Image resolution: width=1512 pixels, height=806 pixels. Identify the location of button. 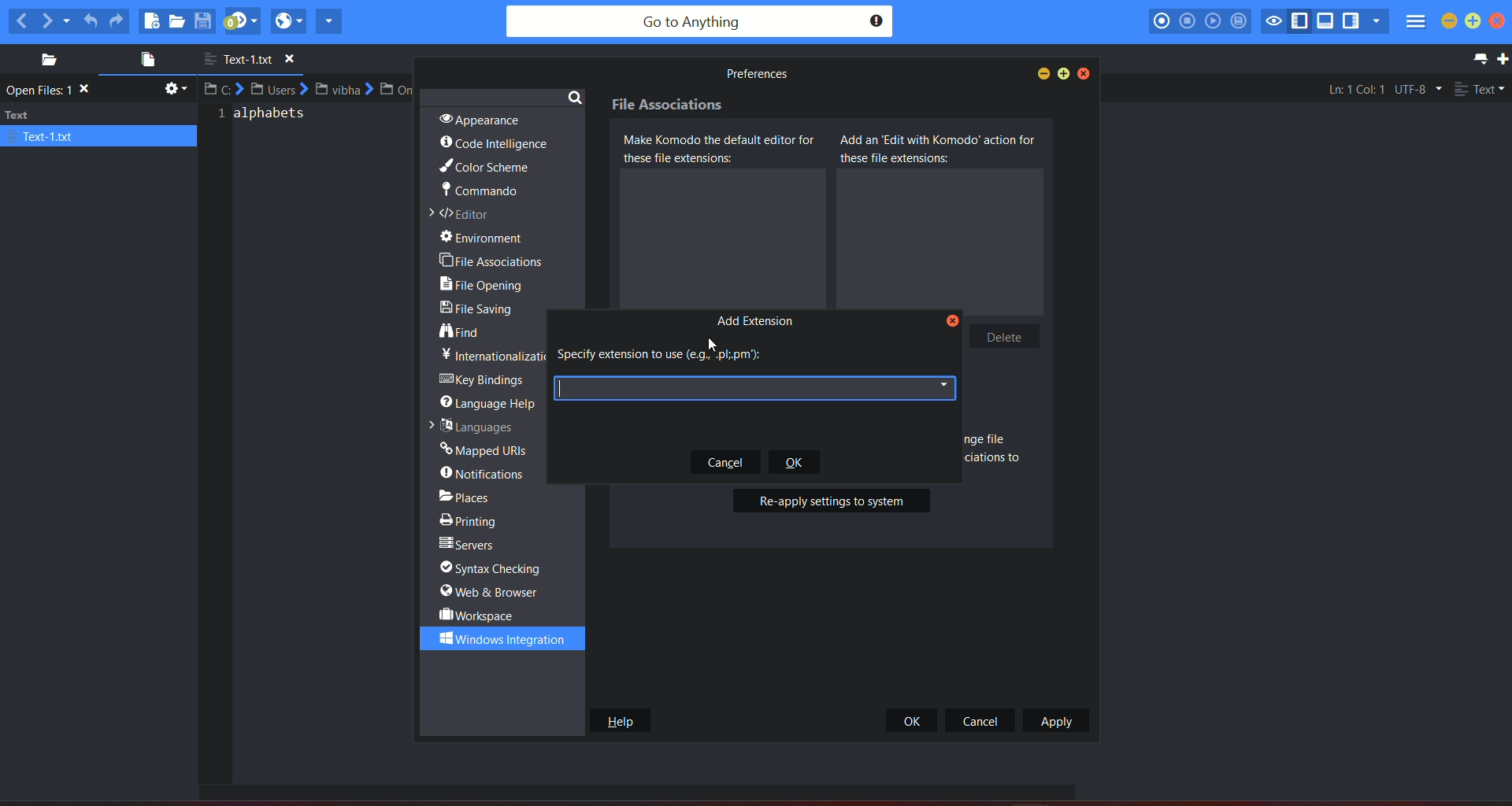
(832, 500).